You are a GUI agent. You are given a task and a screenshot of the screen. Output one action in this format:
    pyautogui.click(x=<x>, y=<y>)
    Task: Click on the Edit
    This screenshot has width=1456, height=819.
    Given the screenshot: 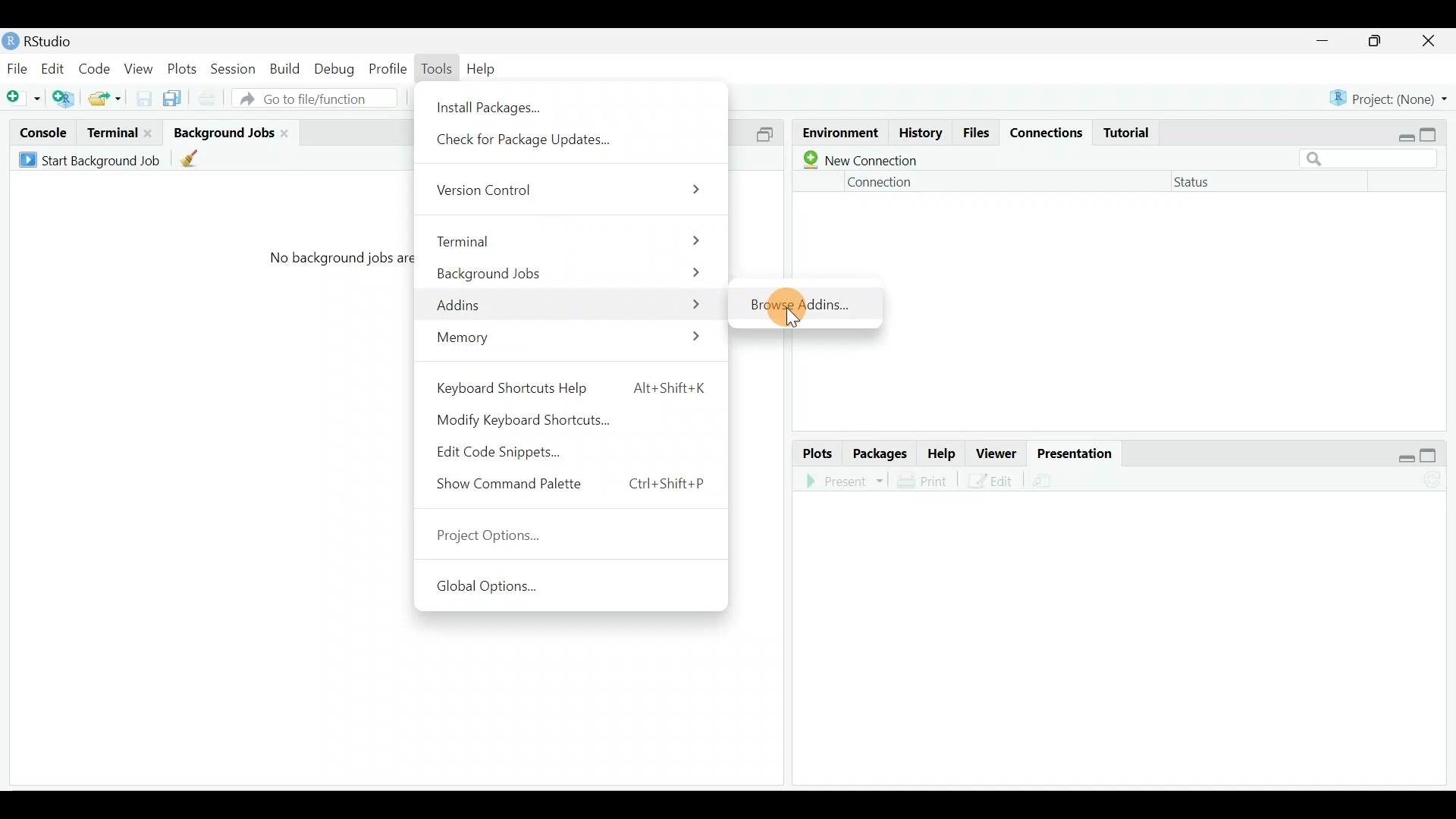 What is the action you would take?
    pyautogui.click(x=55, y=67)
    